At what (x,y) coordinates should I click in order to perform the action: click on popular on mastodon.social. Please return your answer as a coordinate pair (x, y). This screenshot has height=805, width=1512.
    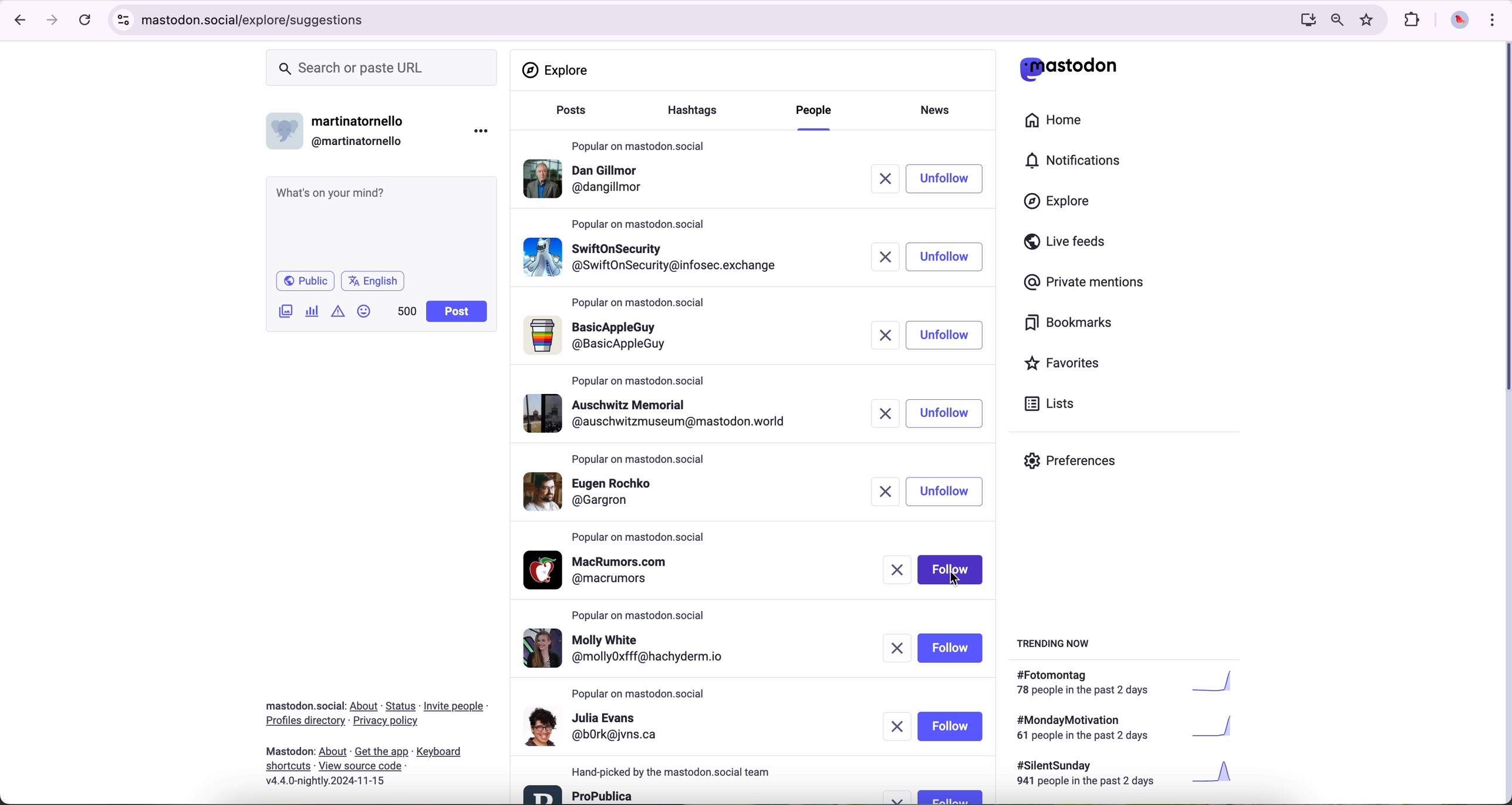
    Looking at the image, I should click on (637, 457).